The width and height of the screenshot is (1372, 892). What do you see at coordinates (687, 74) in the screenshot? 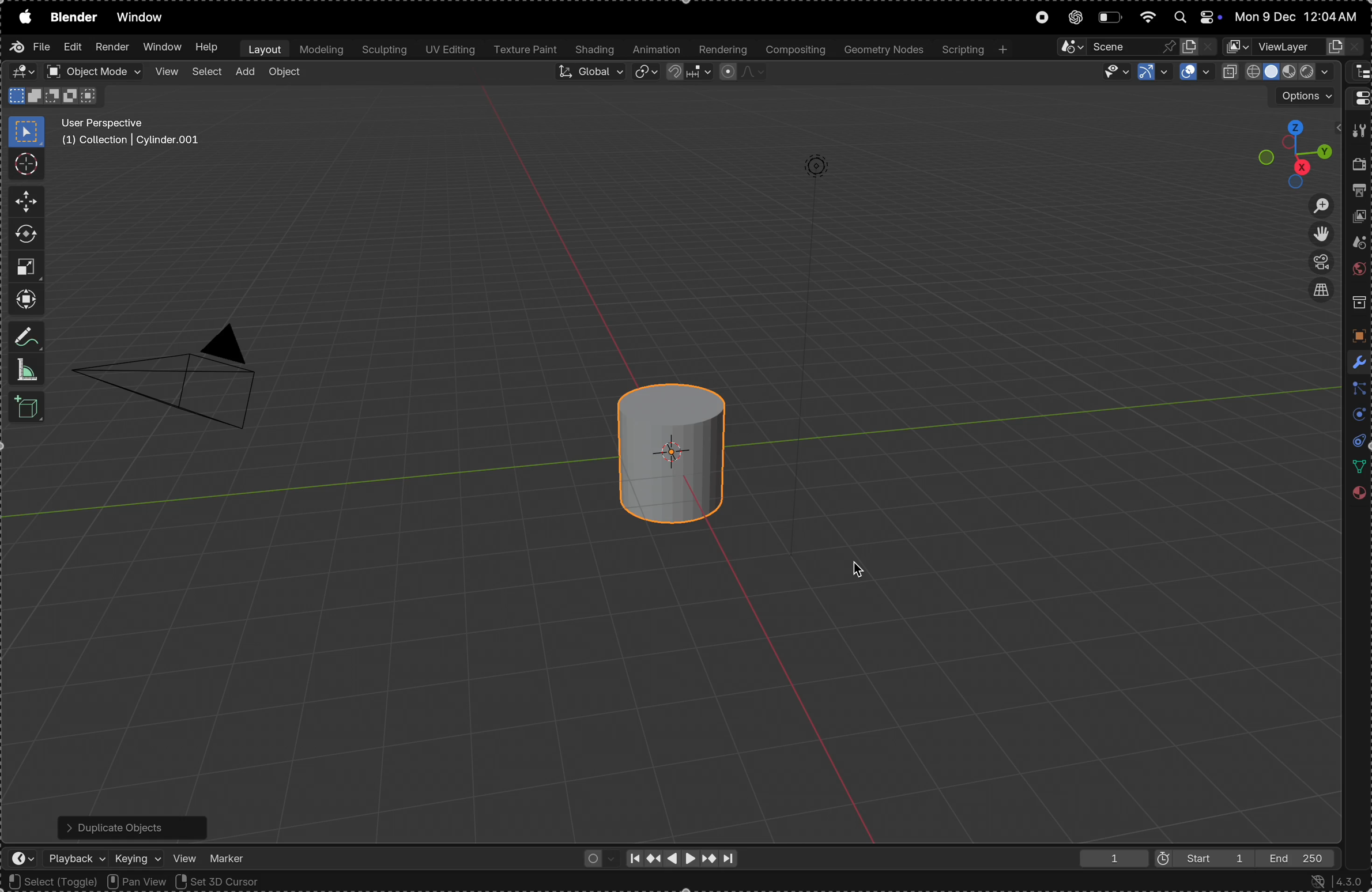
I see `snap` at bounding box center [687, 74].